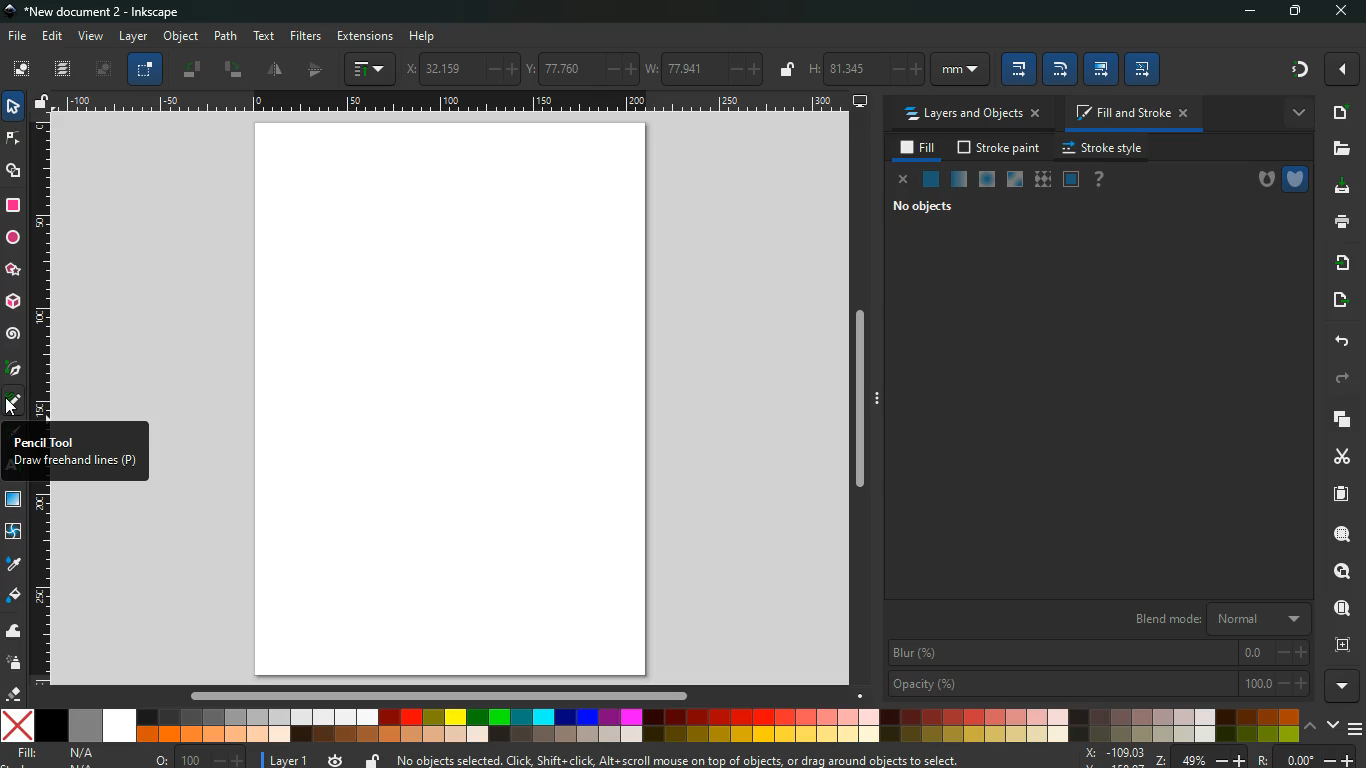 This screenshot has height=768, width=1366. I want to click on , so click(435, 696).